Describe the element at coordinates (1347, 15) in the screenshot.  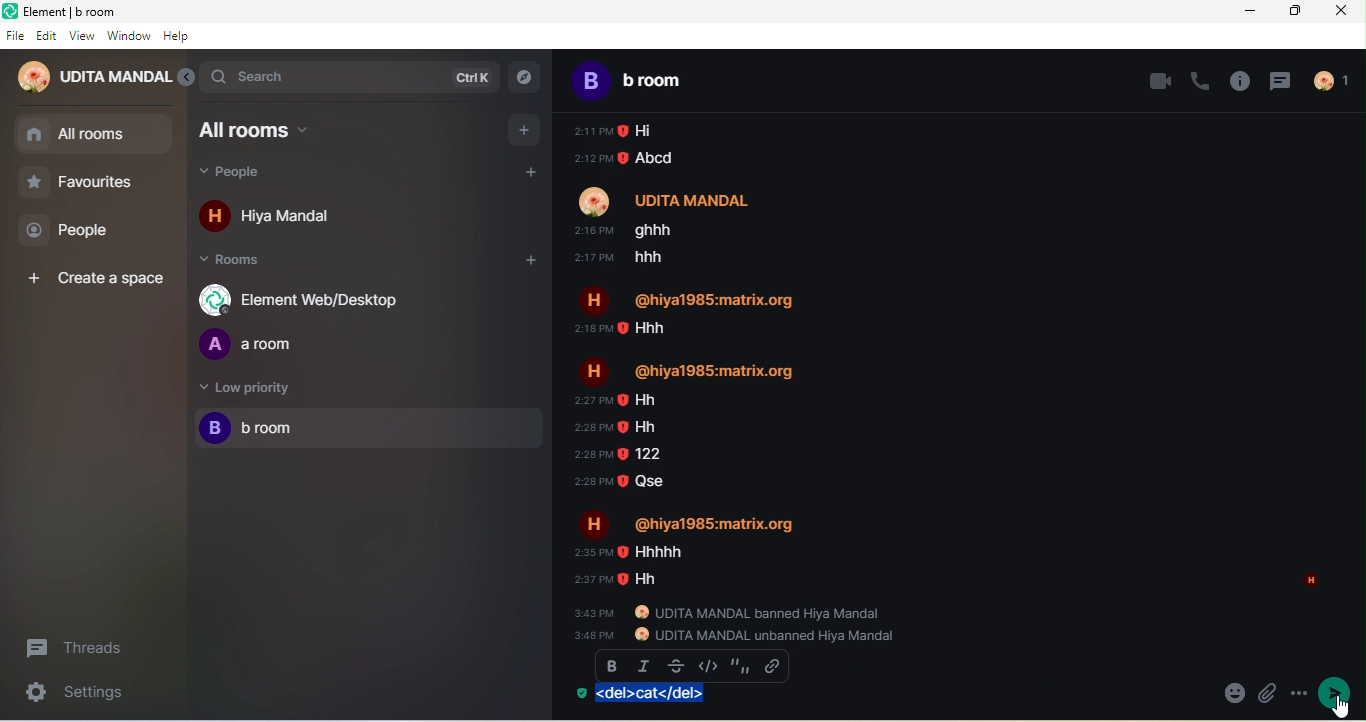
I see `close` at that location.